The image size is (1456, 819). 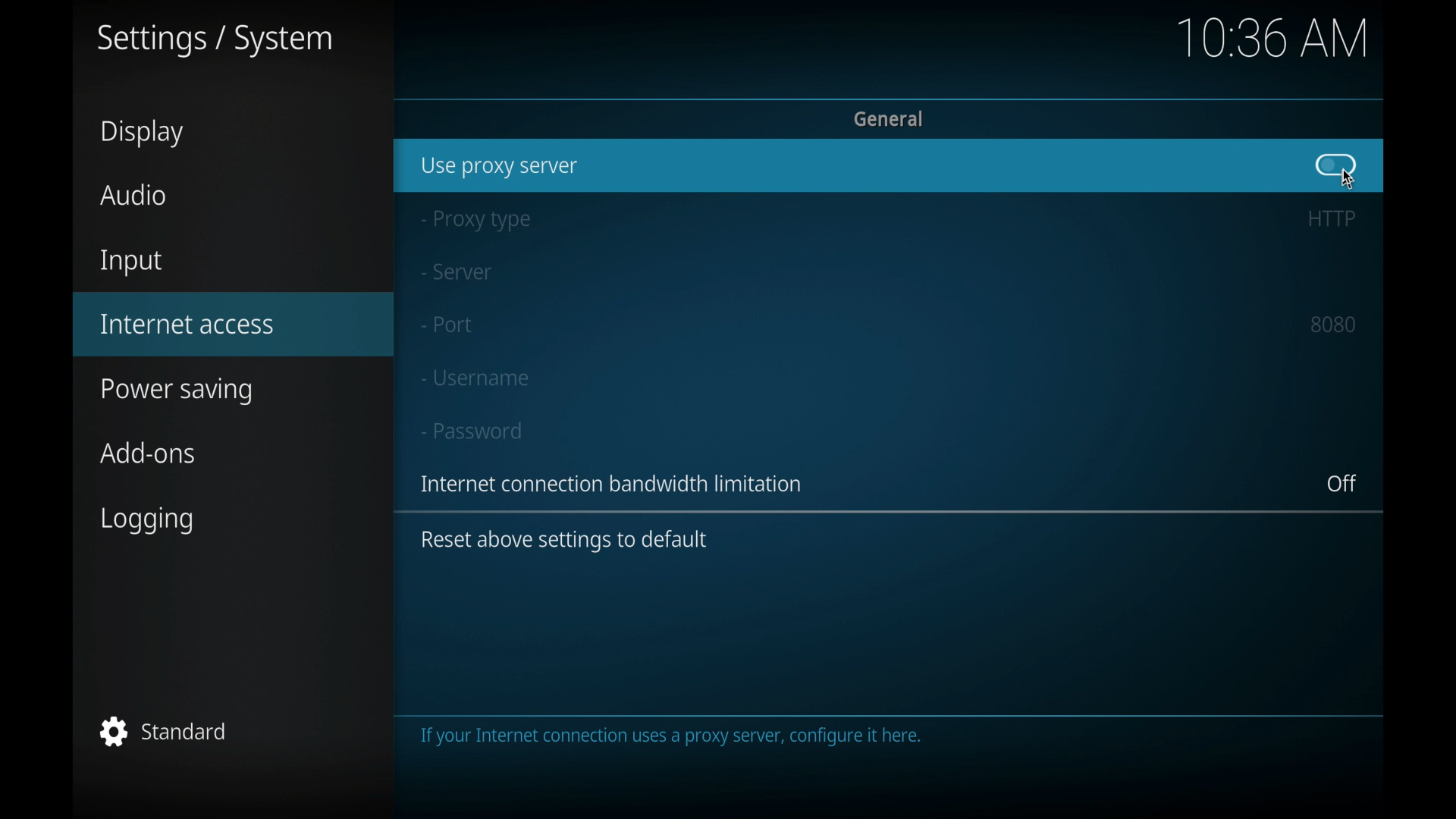 What do you see at coordinates (614, 484) in the screenshot?
I see `info` at bounding box center [614, 484].